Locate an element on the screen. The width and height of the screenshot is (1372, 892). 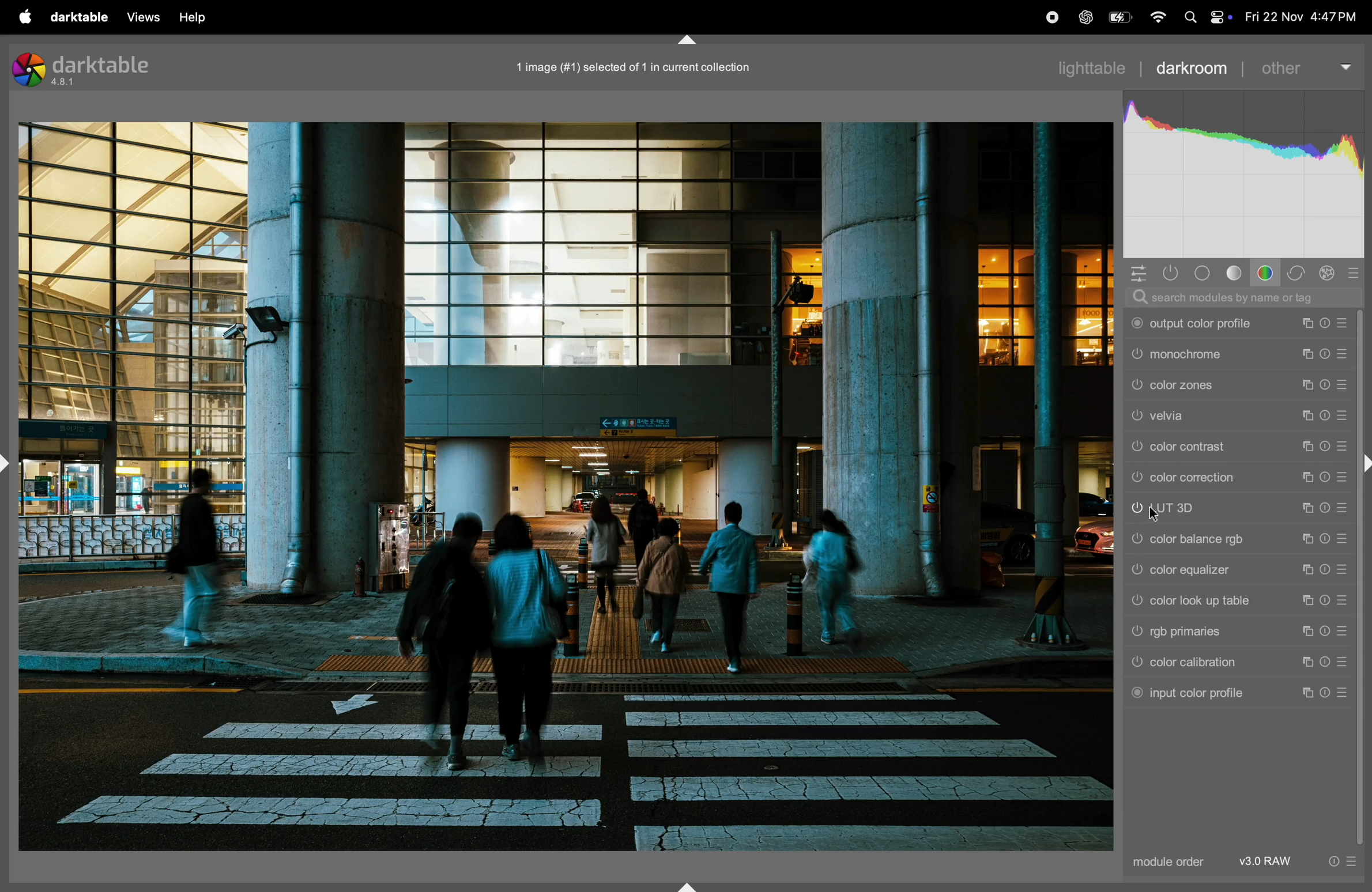
multiple intance actions is located at coordinates (1308, 385).